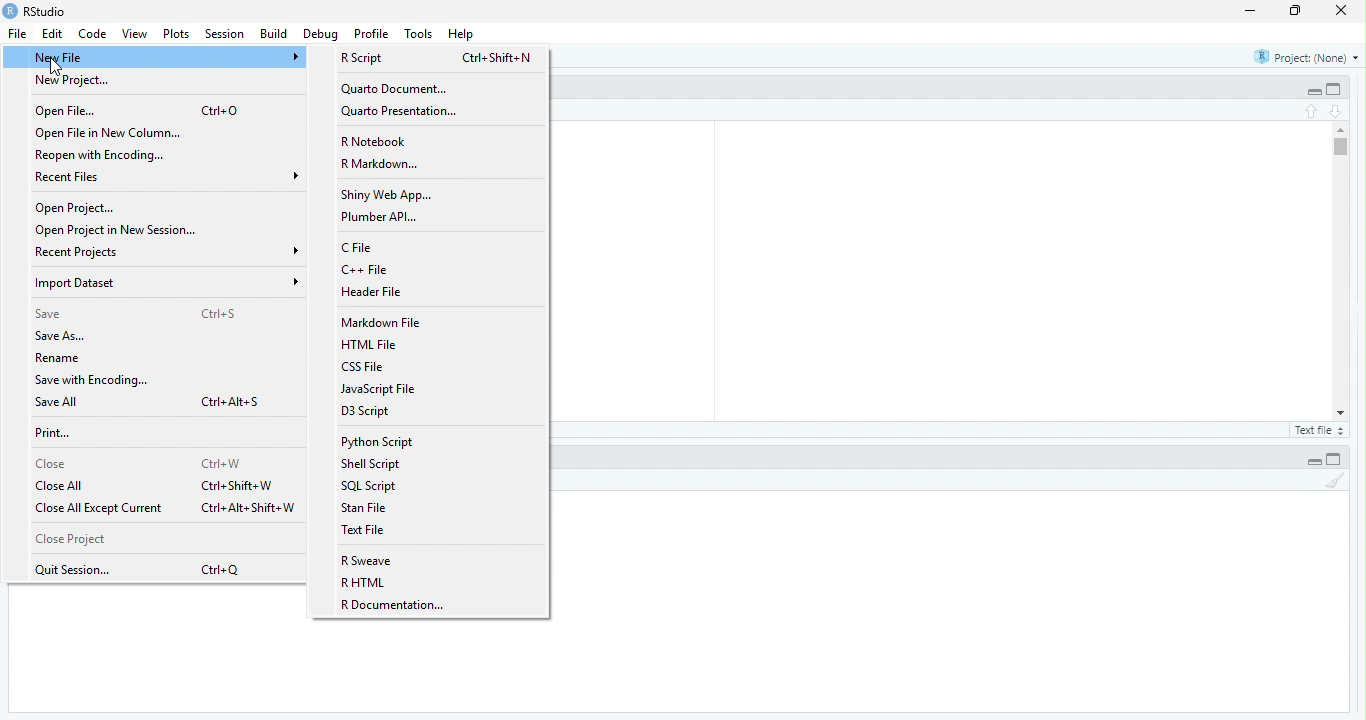 The height and width of the screenshot is (720, 1366). I want to click on Shiny Web App., so click(387, 195).